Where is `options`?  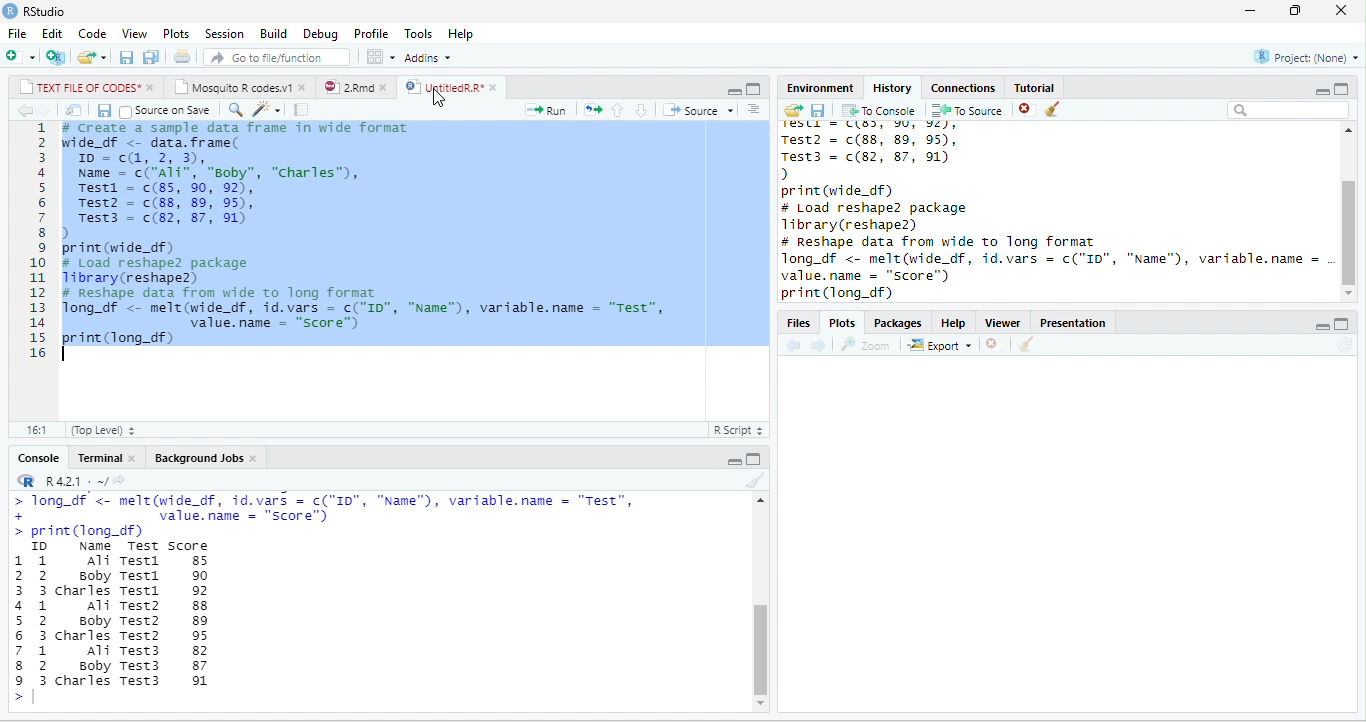
options is located at coordinates (381, 57).